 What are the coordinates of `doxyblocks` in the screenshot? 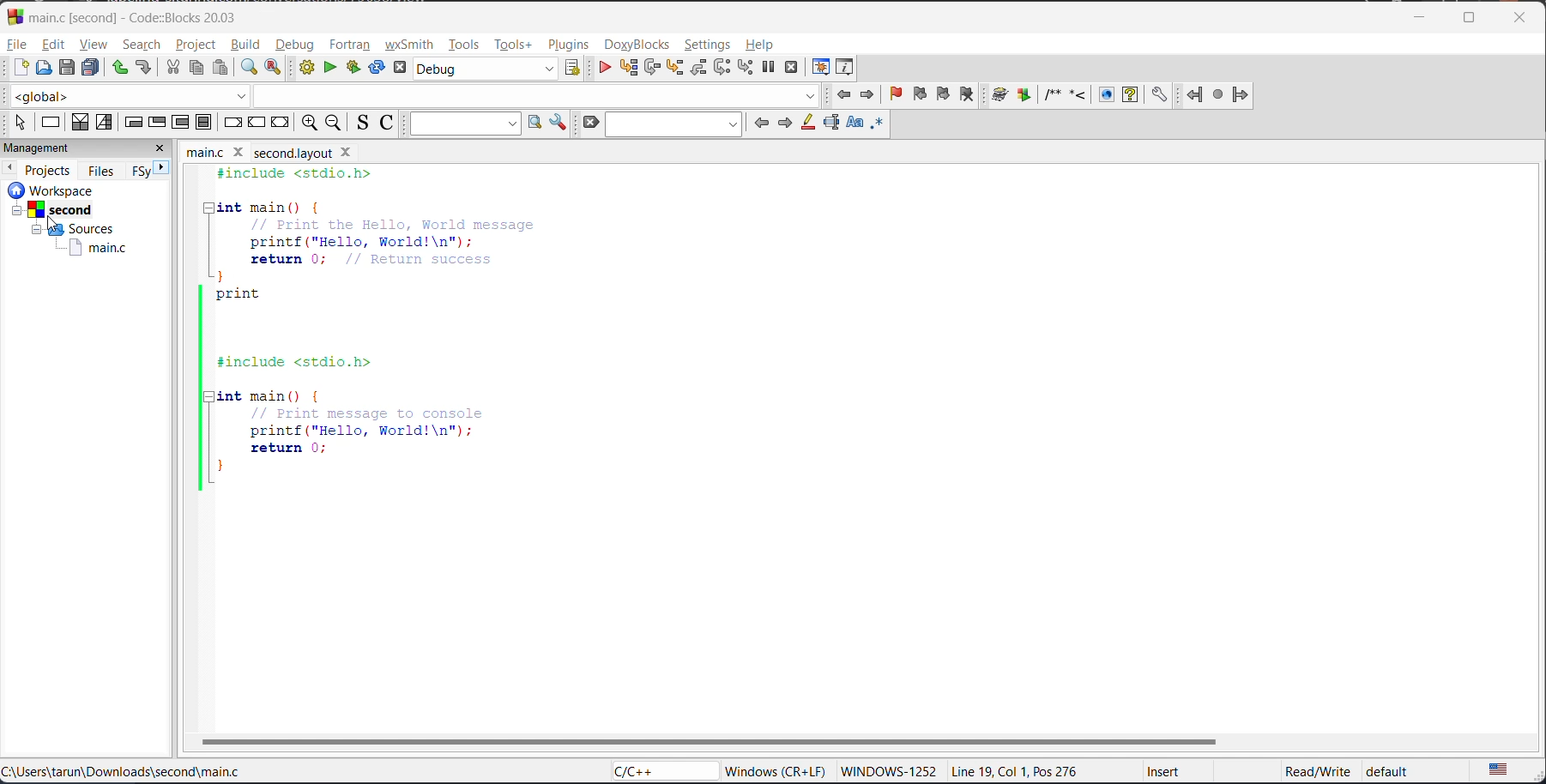 It's located at (642, 43).